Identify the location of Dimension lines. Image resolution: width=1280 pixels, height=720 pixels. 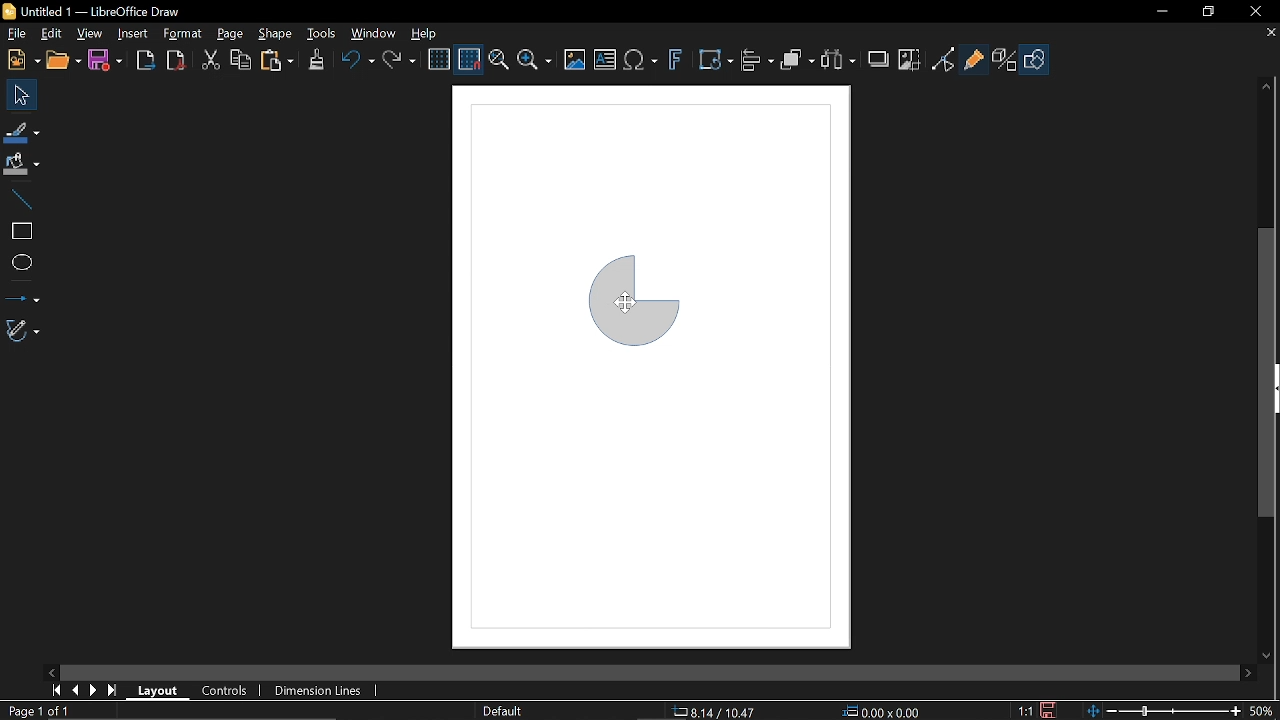
(326, 689).